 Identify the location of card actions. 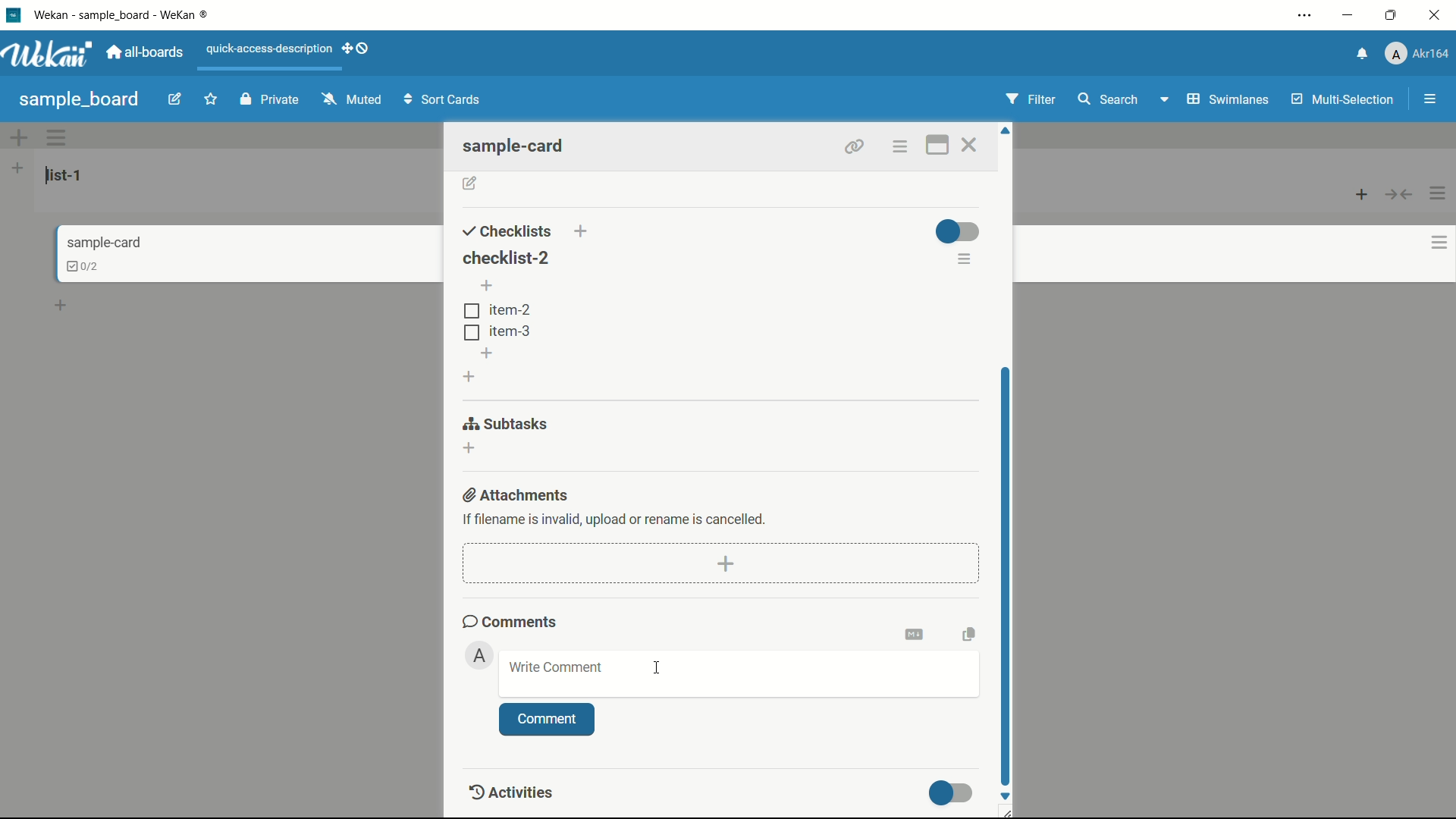
(1428, 243).